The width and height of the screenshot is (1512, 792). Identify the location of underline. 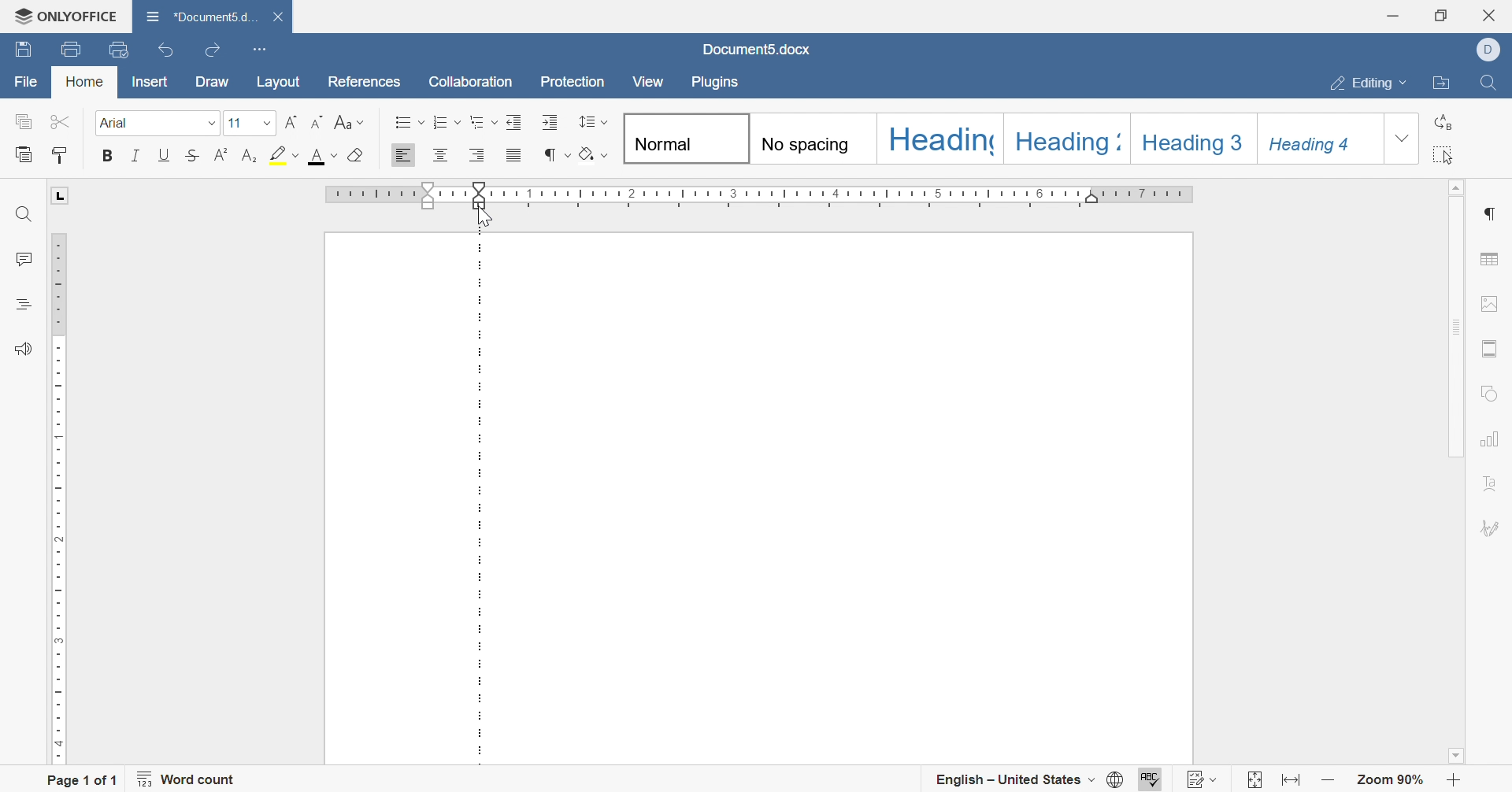
(165, 154).